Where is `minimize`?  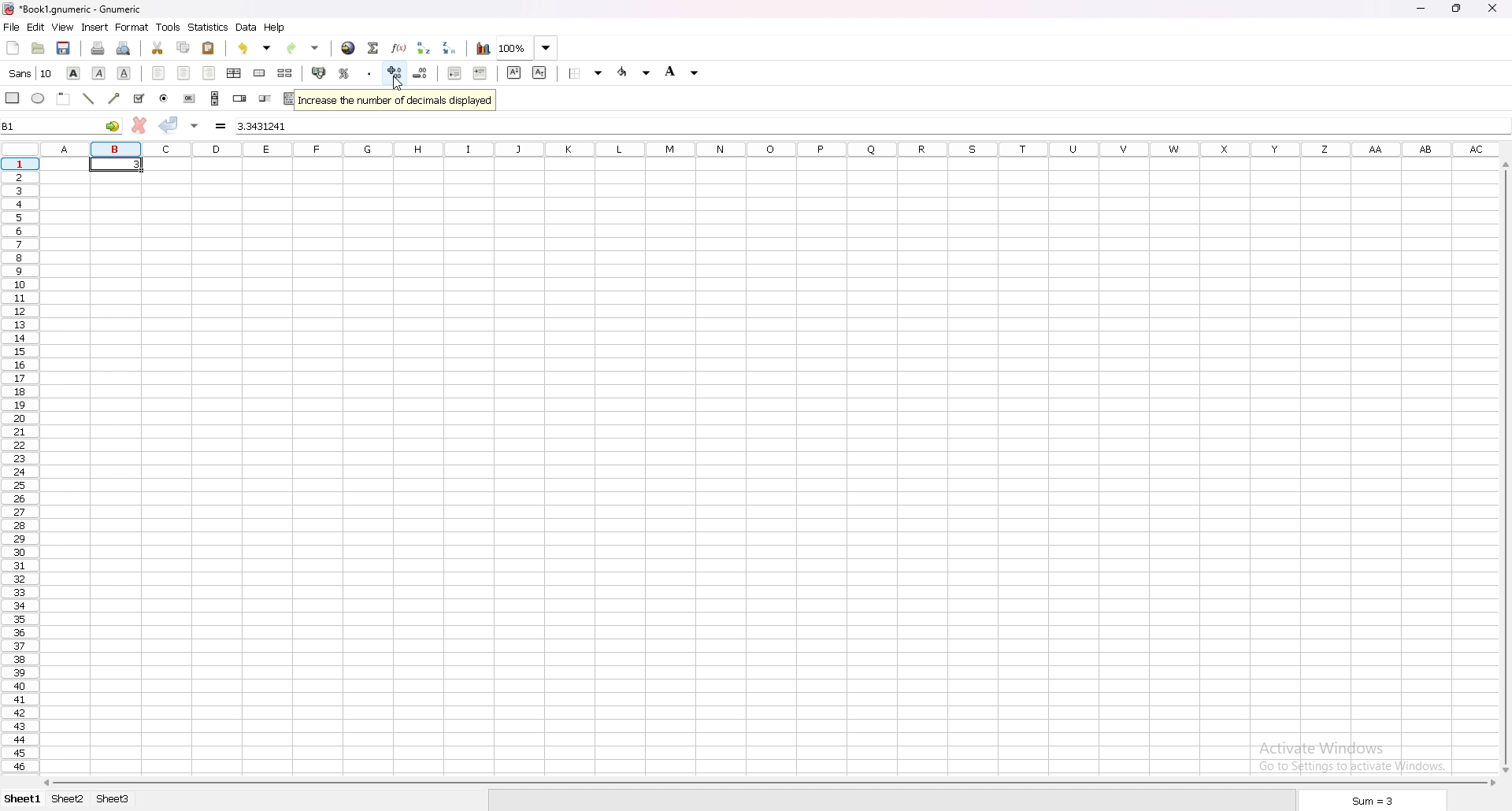
minimize is located at coordinates (1421, 8).